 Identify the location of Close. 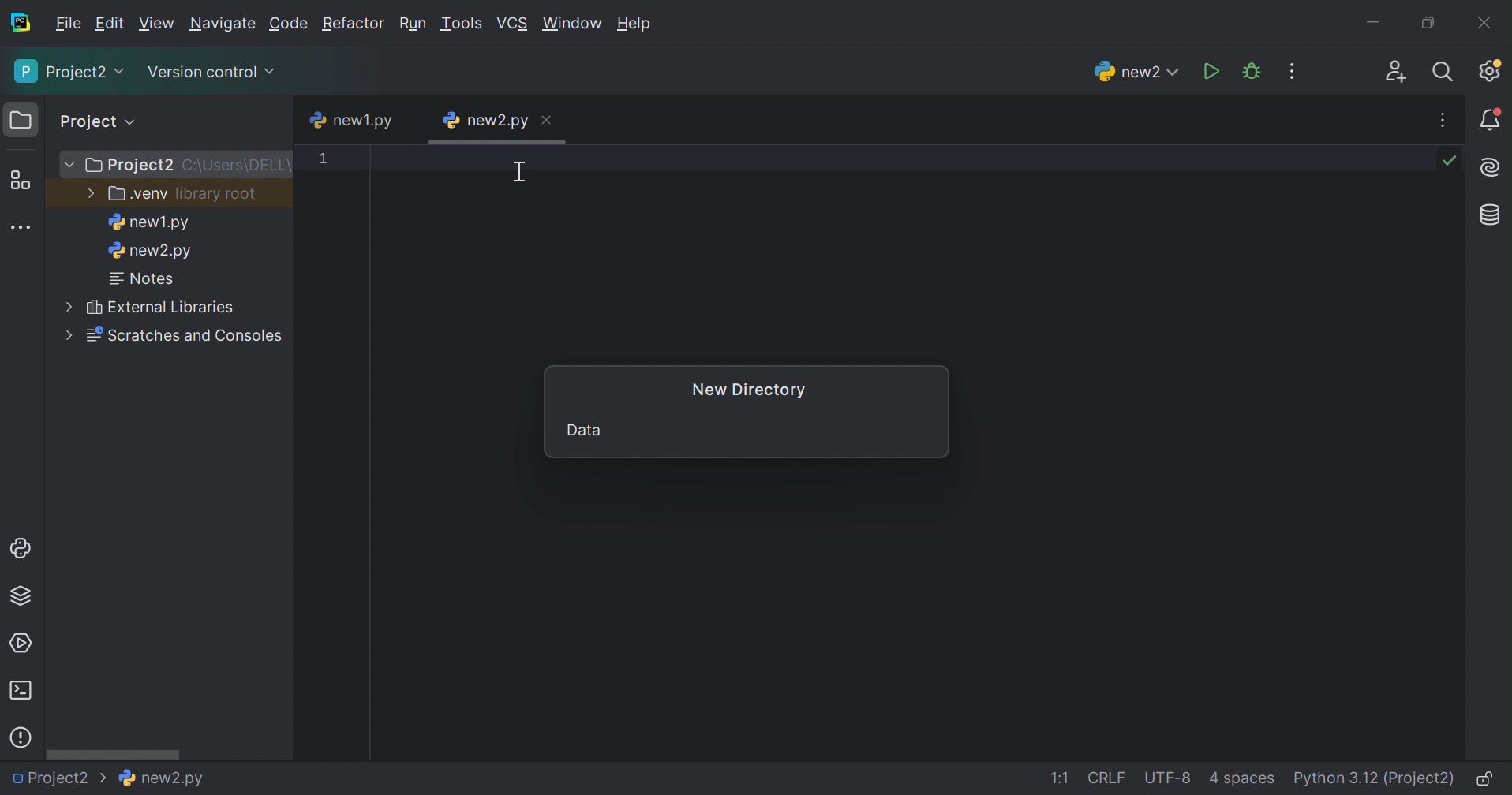
(545, 121).